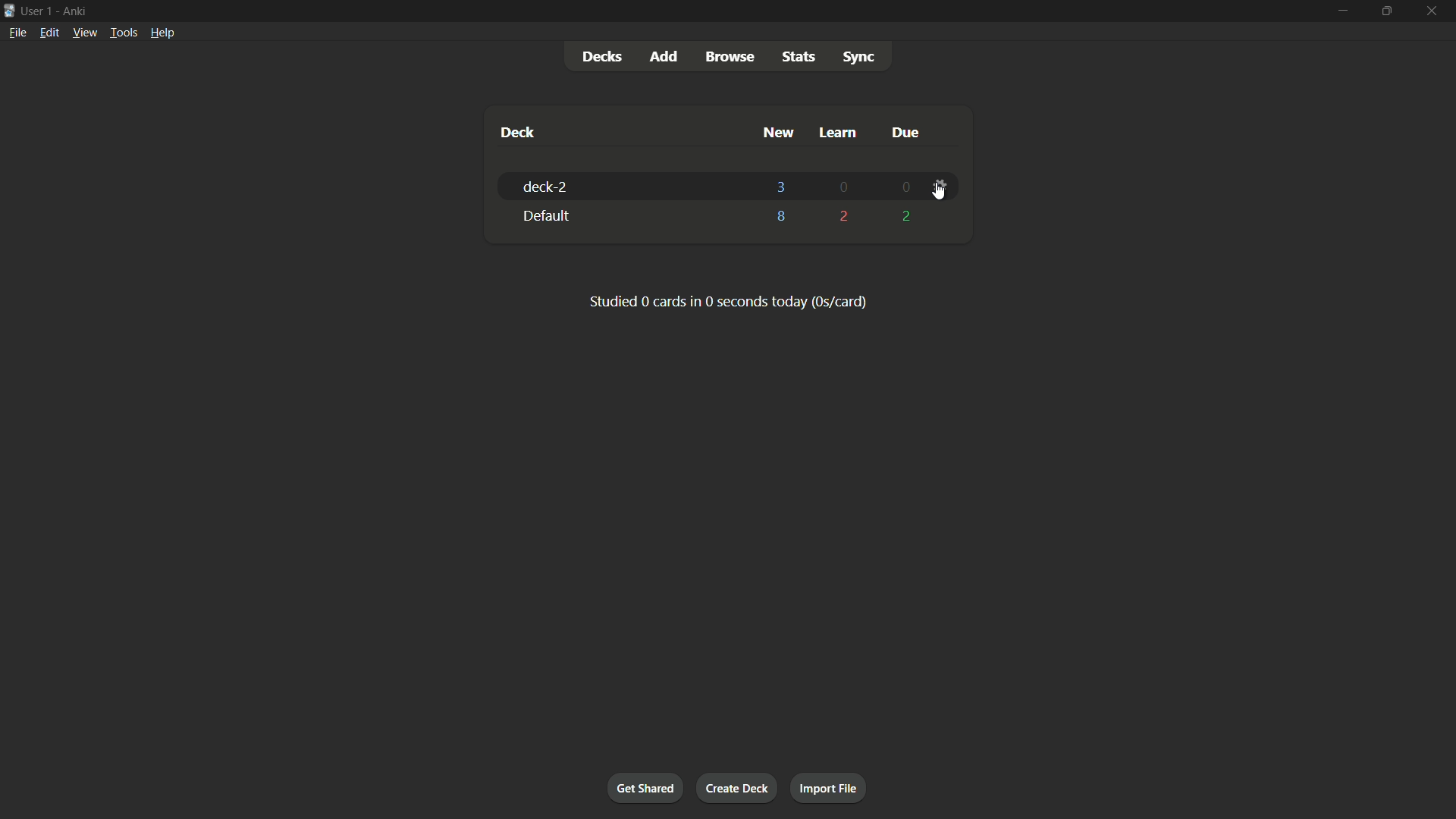 The width and height of the screenshot is (1456, 819). Describe the element at coordinates (664, 55) in the screenshot. I see `add` at that location.